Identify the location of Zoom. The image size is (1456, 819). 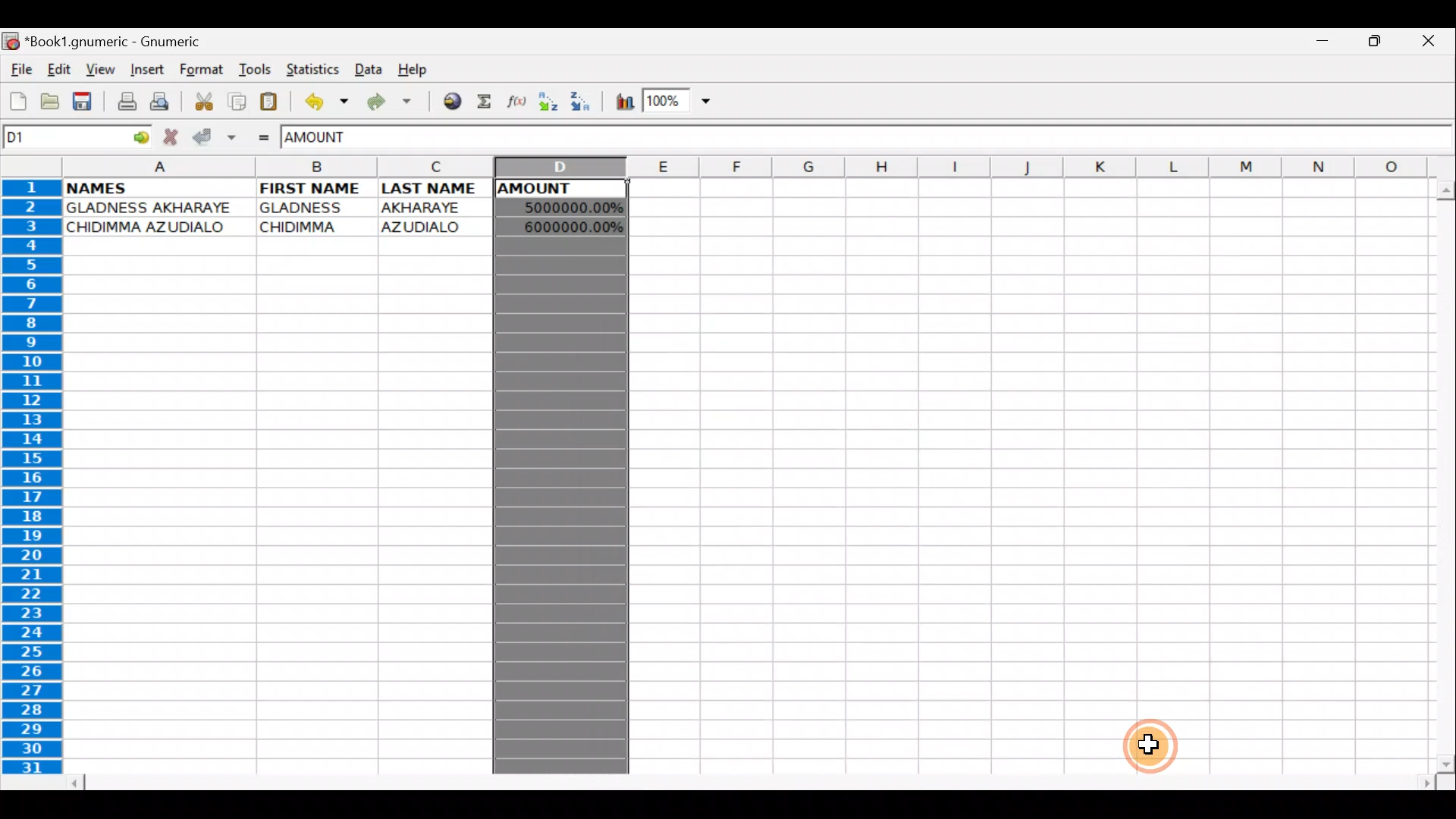
(679, 102).